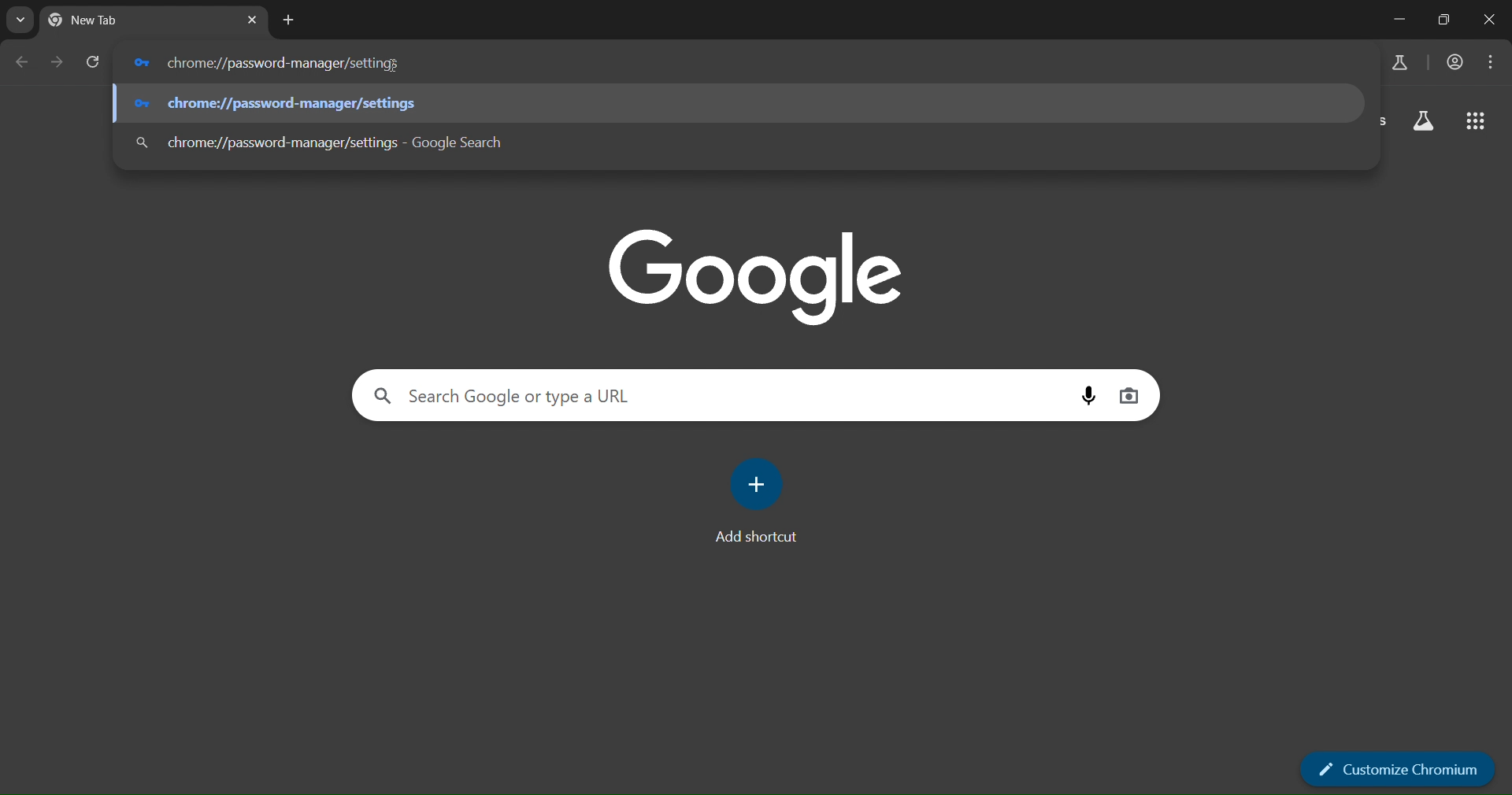 The height and width of the screenshot is (795, 1512). What do you see at coordinates (1421, 121) in the screenshot?
I see `search labs` at bounding box center [1421, 121].